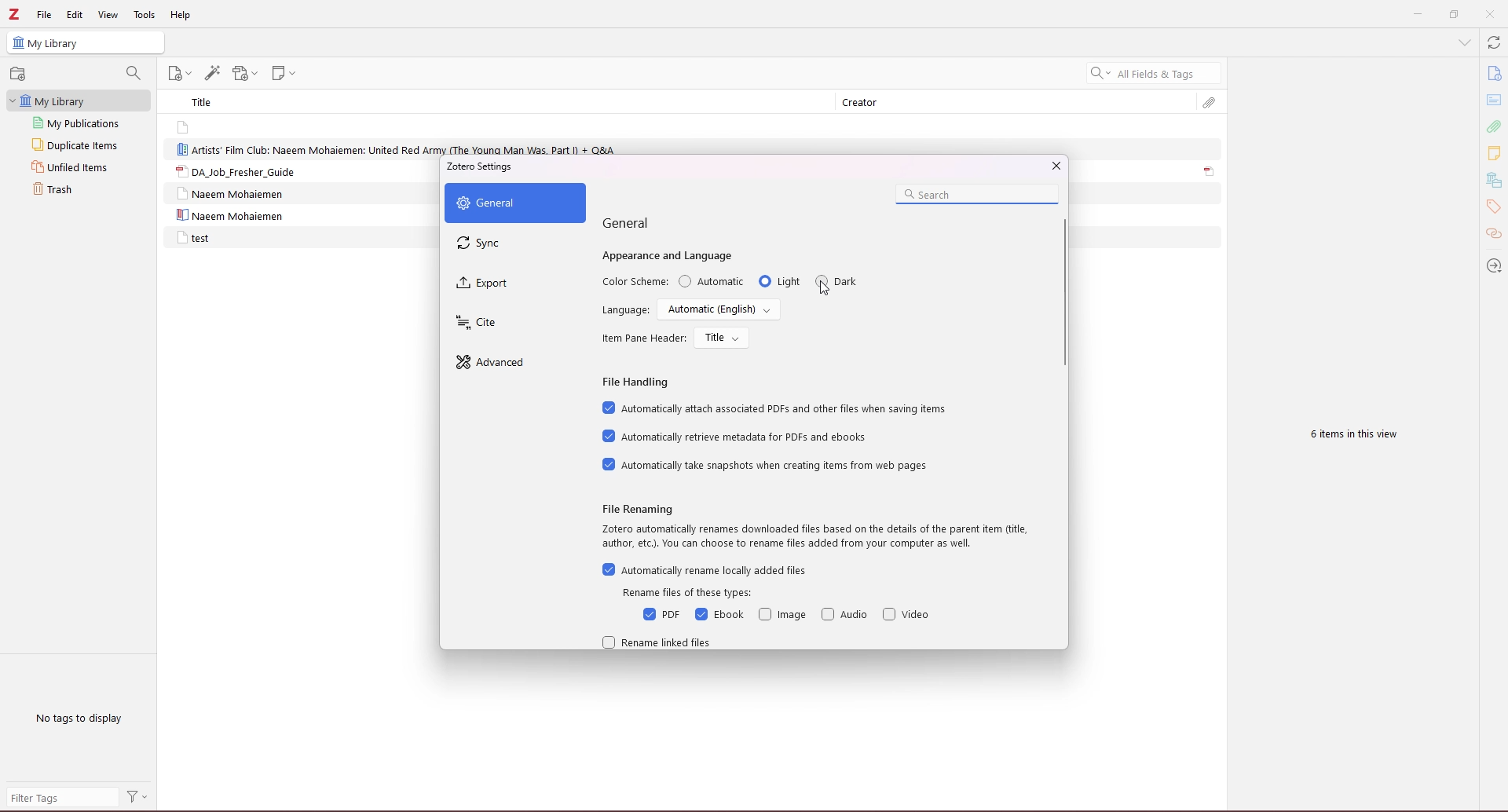 This screenshot has width=1508, height=812. I want to click on appearance and language, so click(670, 256).